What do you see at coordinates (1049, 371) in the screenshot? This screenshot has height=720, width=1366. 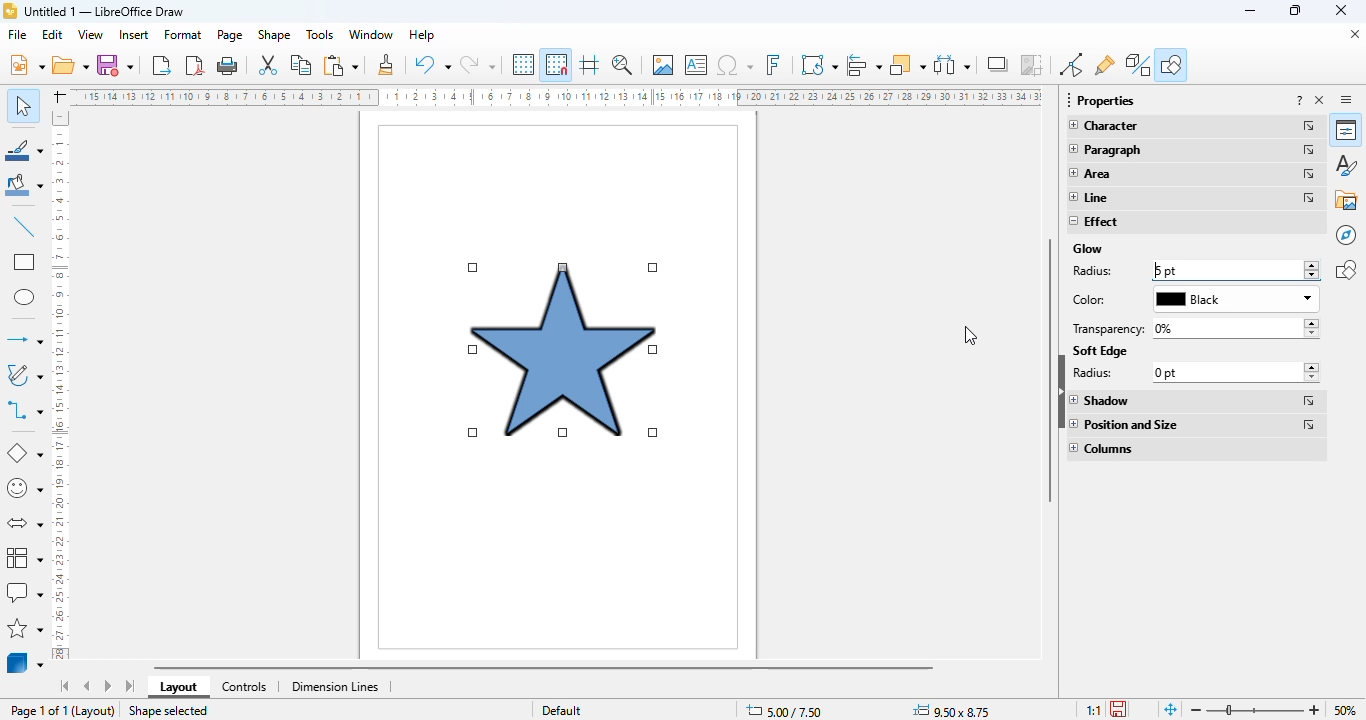 I see `vertical scroll bar` at bounding box center [1049, 371].